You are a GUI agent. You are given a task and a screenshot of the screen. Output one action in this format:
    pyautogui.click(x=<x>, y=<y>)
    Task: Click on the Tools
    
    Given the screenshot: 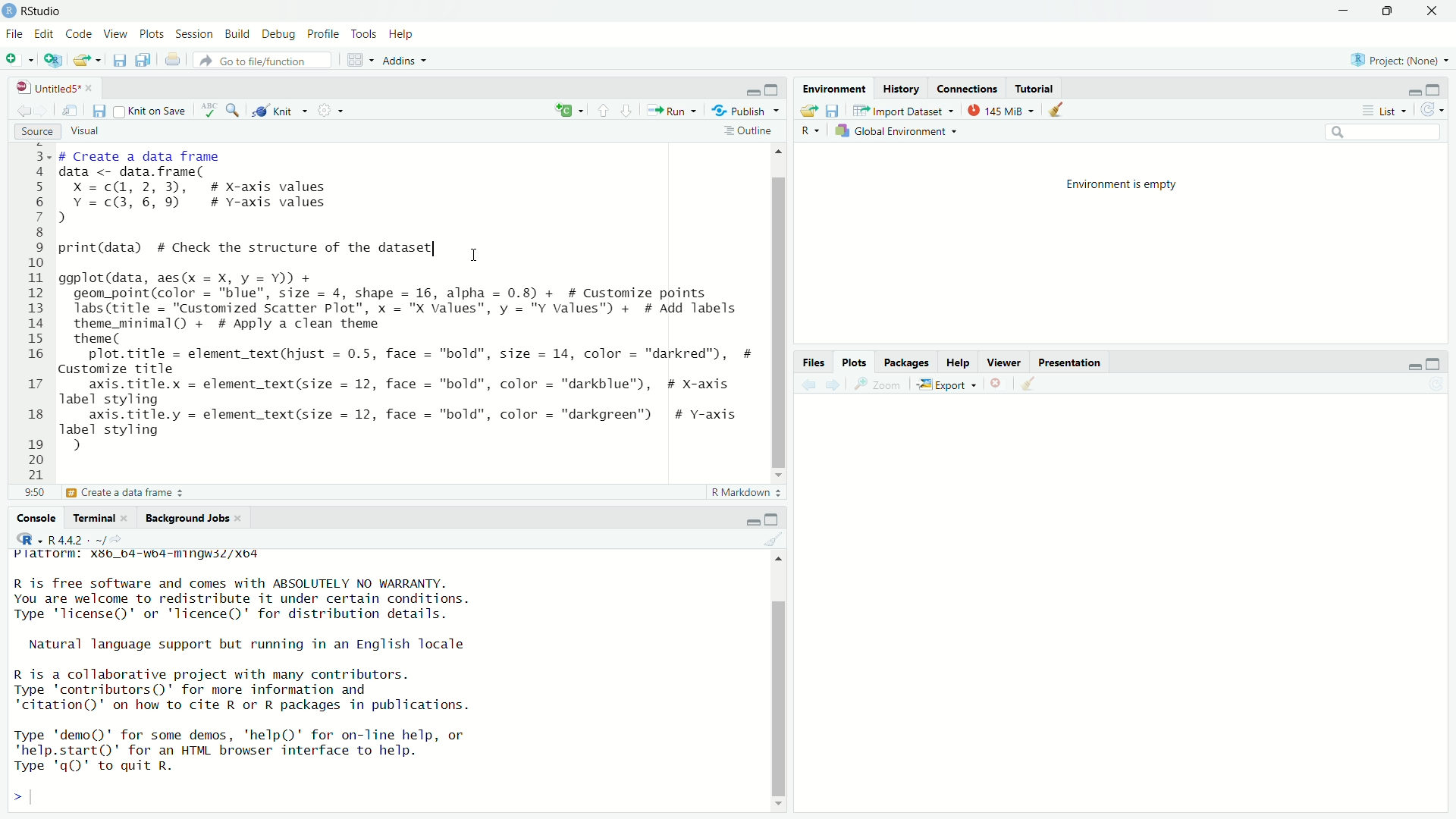 What is the action you would take?
    pyautogui.click(x=364, y=35)
    